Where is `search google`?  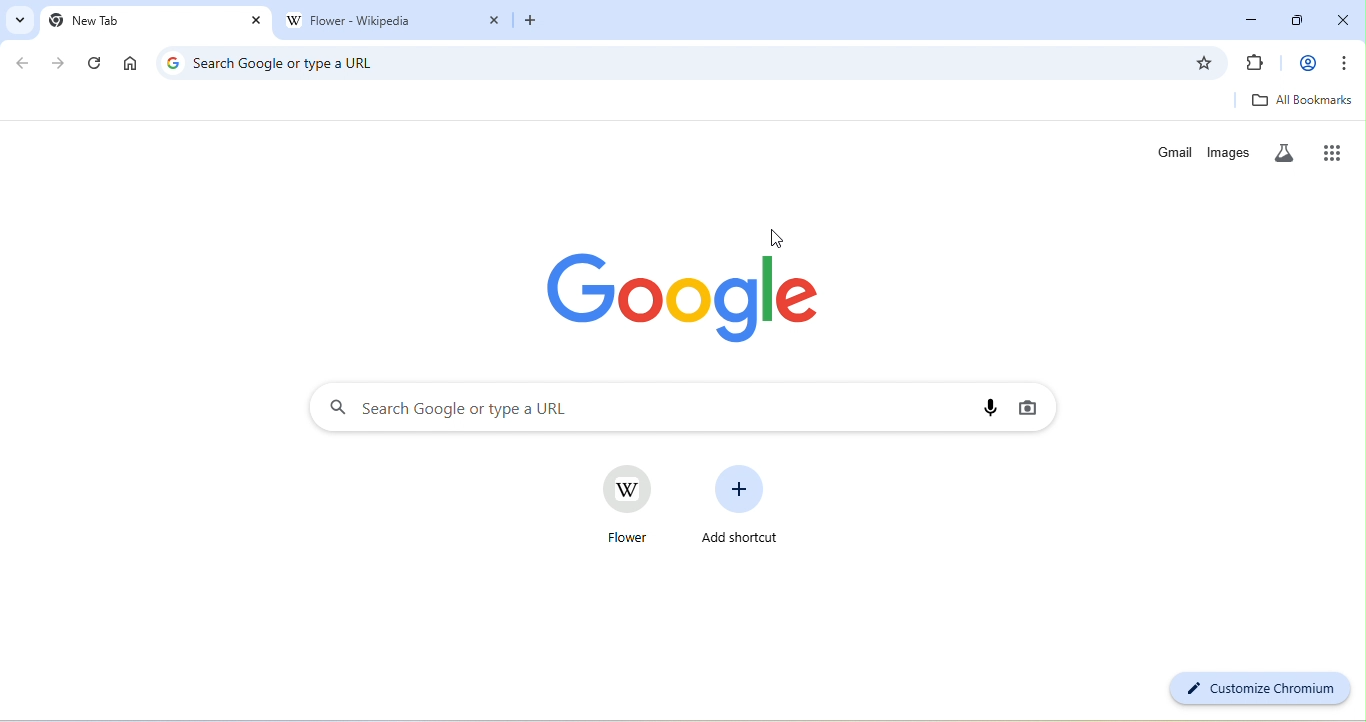
search google is located at coordinates (633, 408).